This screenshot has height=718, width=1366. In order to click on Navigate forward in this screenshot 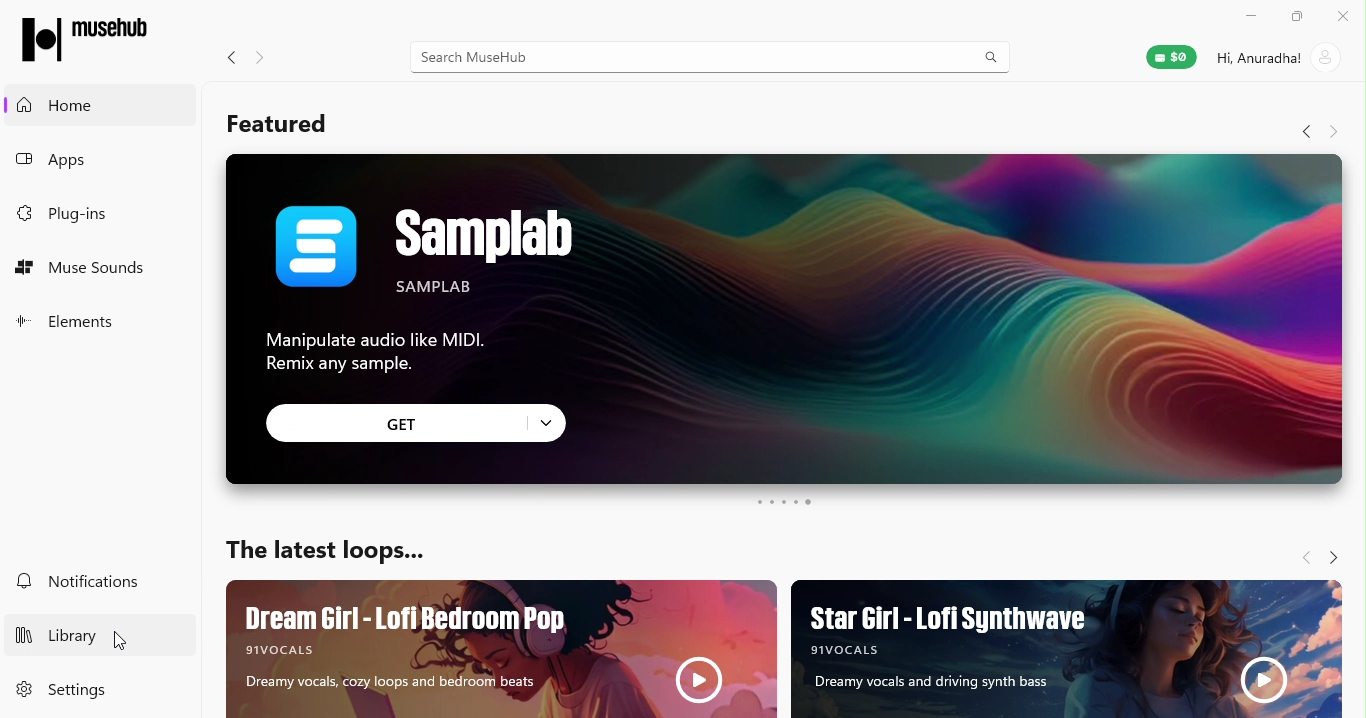, I will do `click(269, 54)`.